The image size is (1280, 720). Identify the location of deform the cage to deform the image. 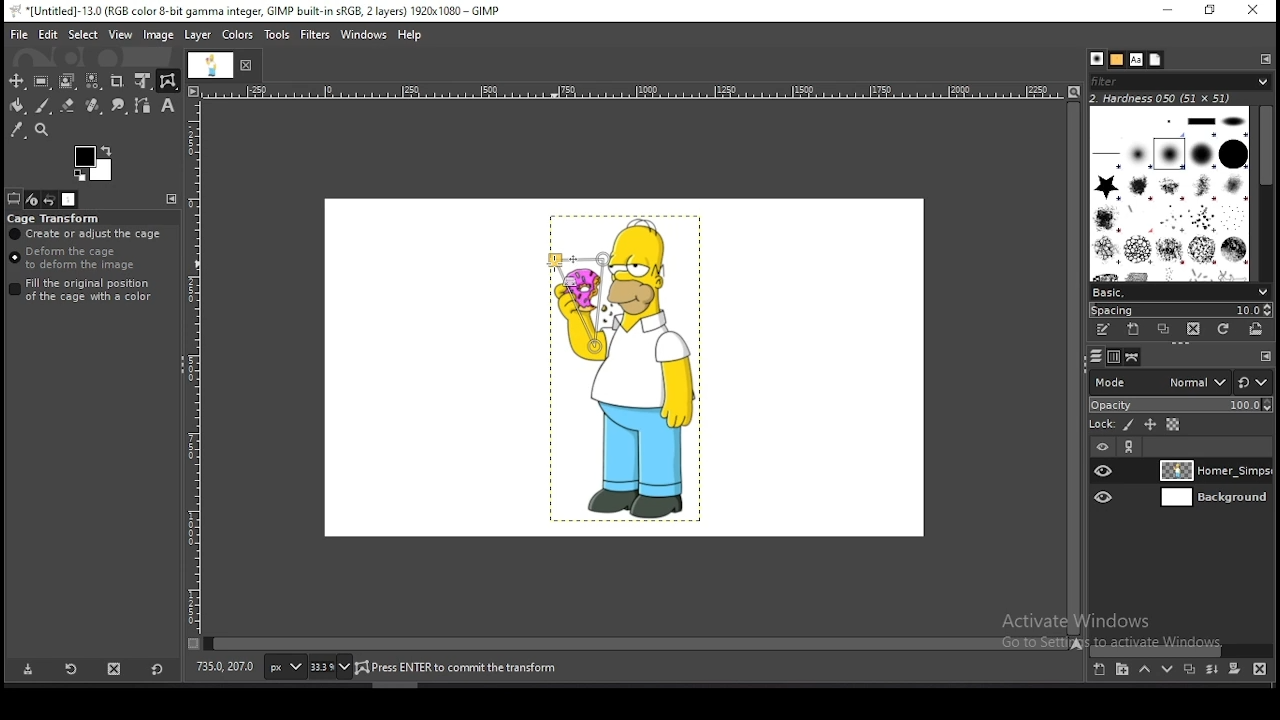
(76, 259).